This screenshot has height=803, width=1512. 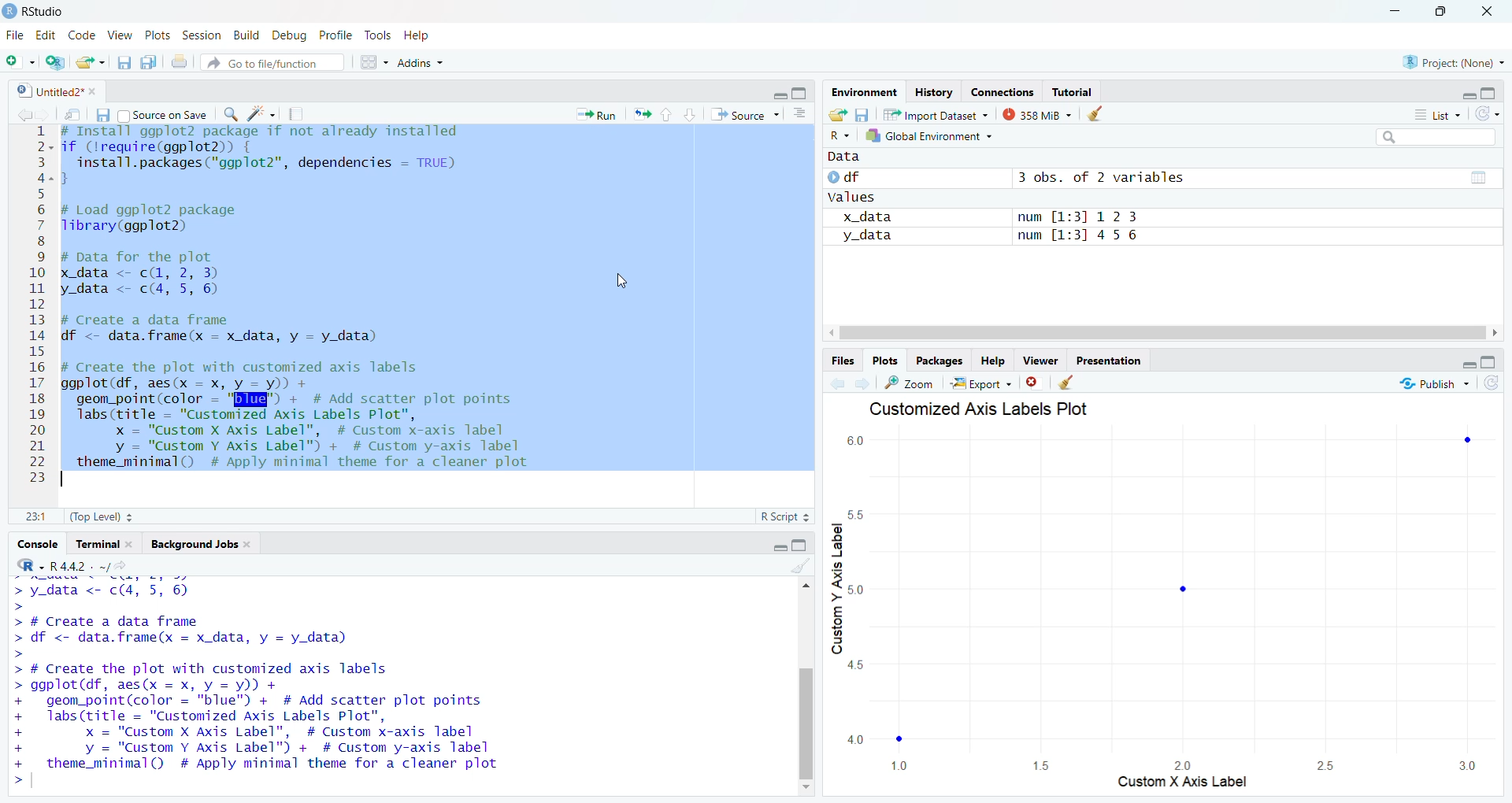 I want to click on History, so click(x=934, y=92).